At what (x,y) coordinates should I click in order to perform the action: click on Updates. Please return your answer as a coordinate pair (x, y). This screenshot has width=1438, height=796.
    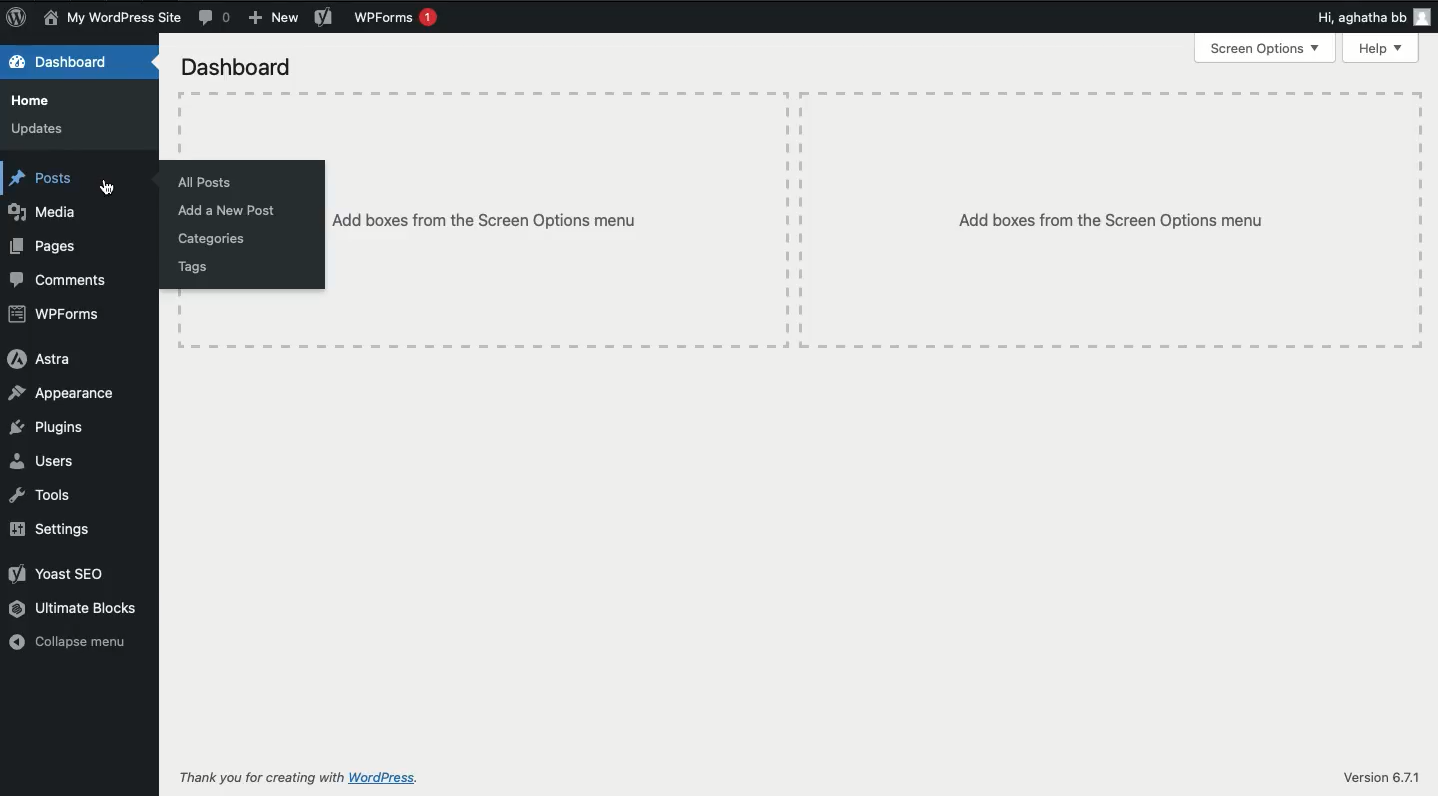
    Looking at the image, I should click on (39, 129).